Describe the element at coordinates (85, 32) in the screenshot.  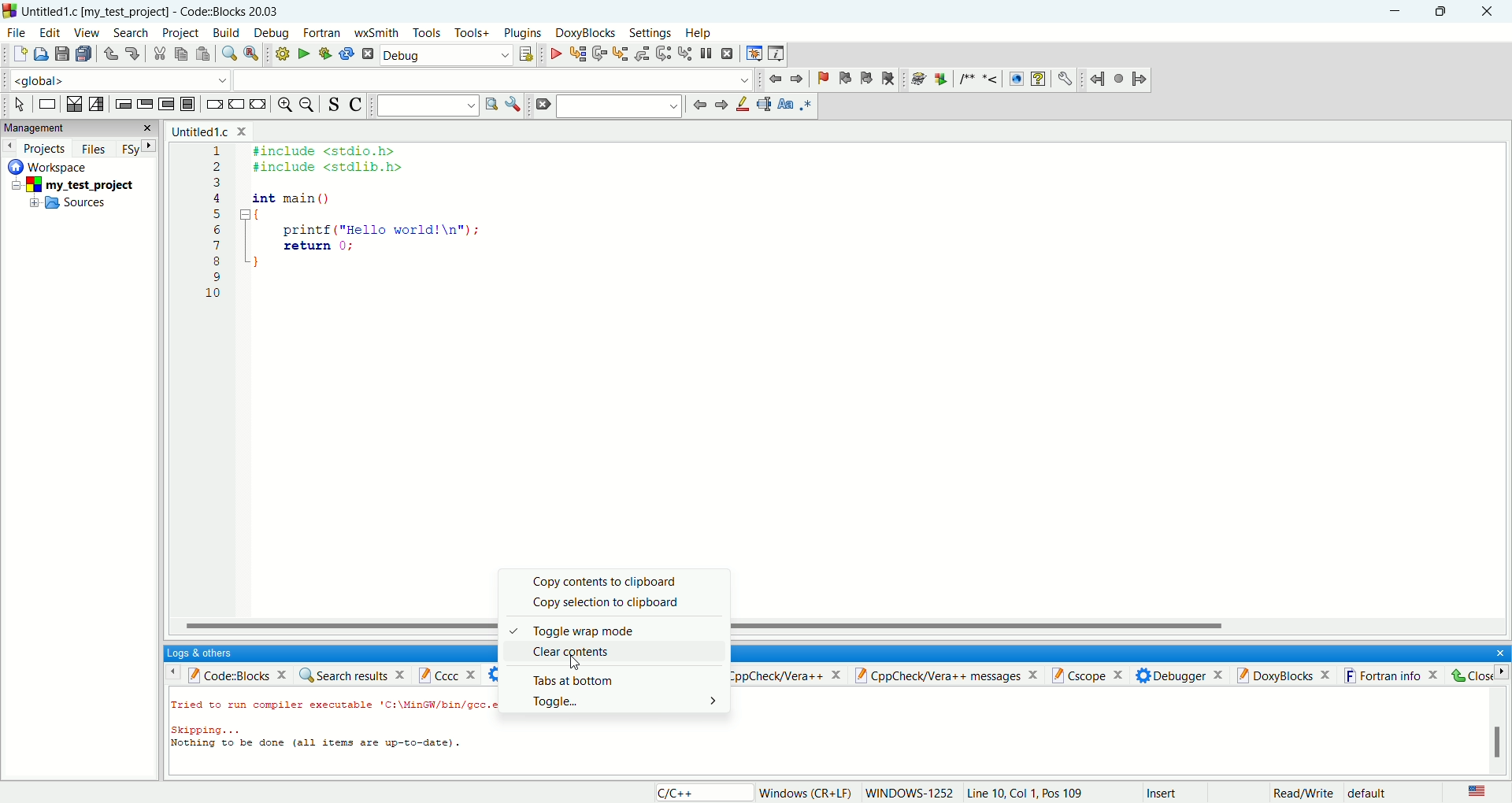
I see `view` at that location.